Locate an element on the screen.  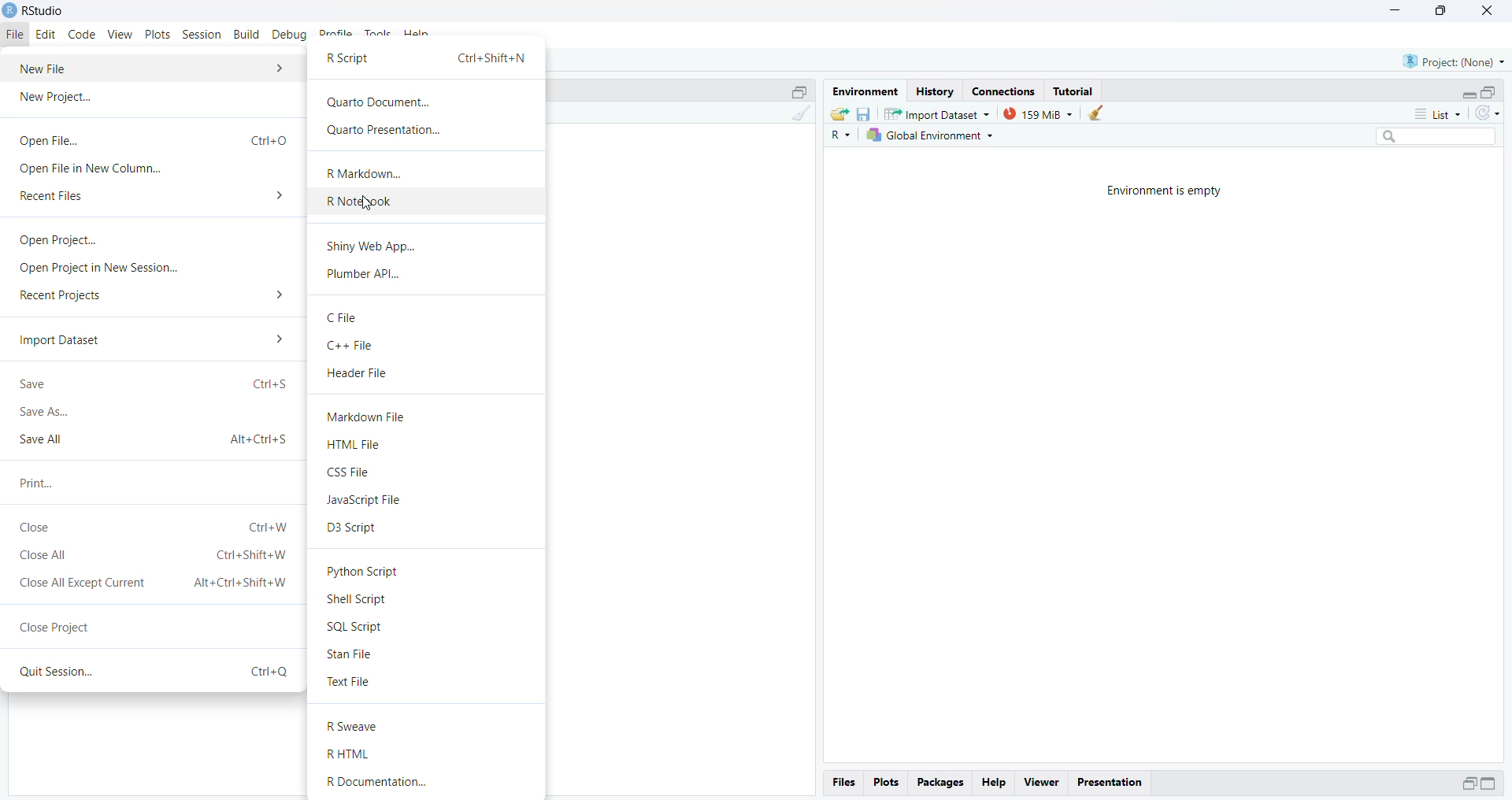
C File is located at coordinates (342, 317).